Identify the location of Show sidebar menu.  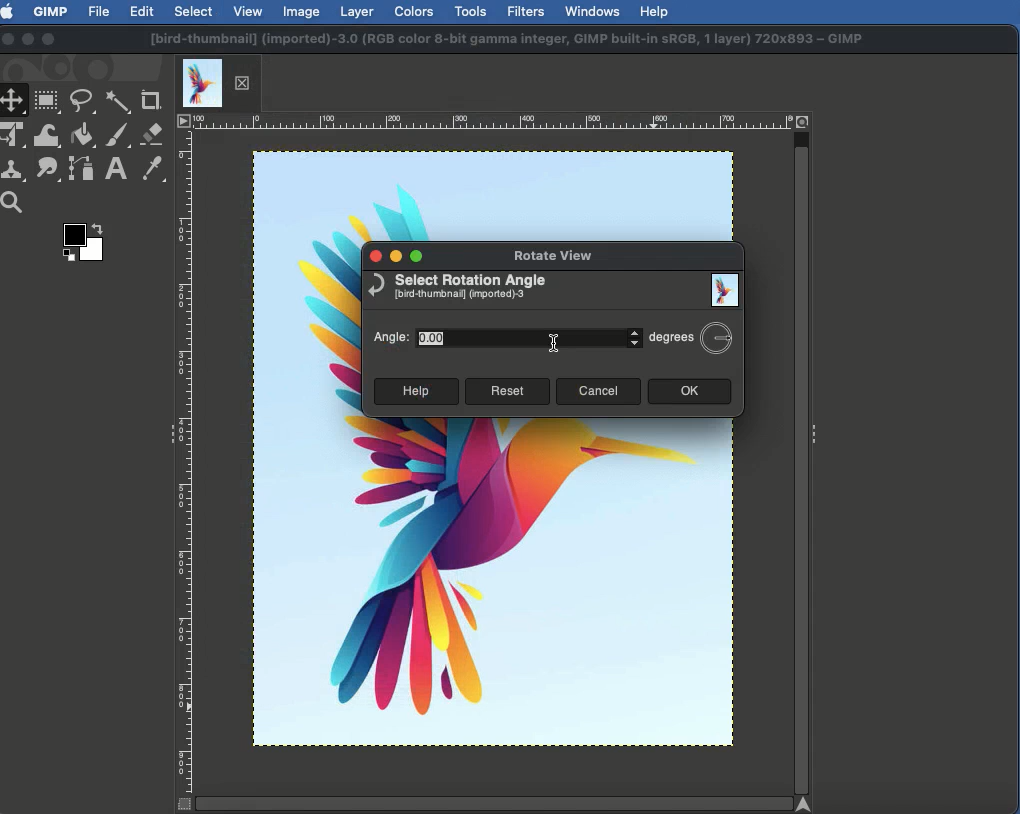
(167, 436).